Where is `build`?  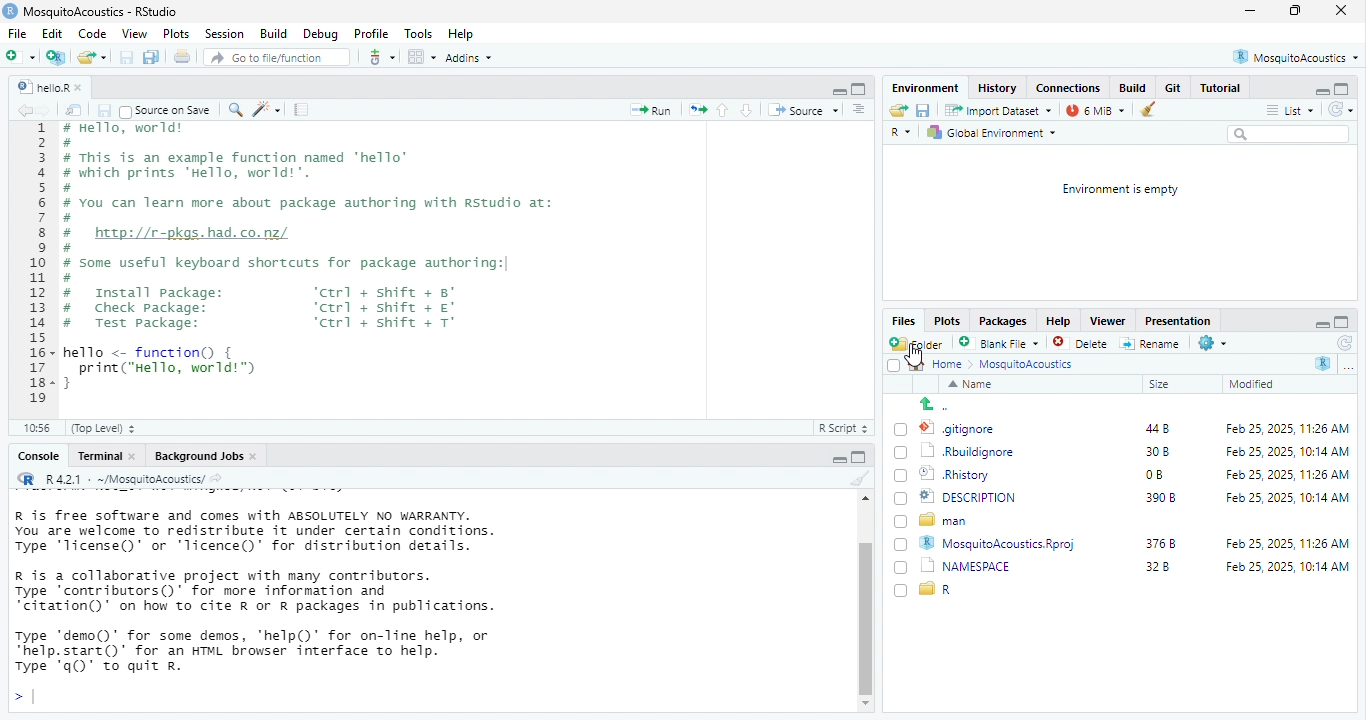
build is located at coordinates (1133, 88).